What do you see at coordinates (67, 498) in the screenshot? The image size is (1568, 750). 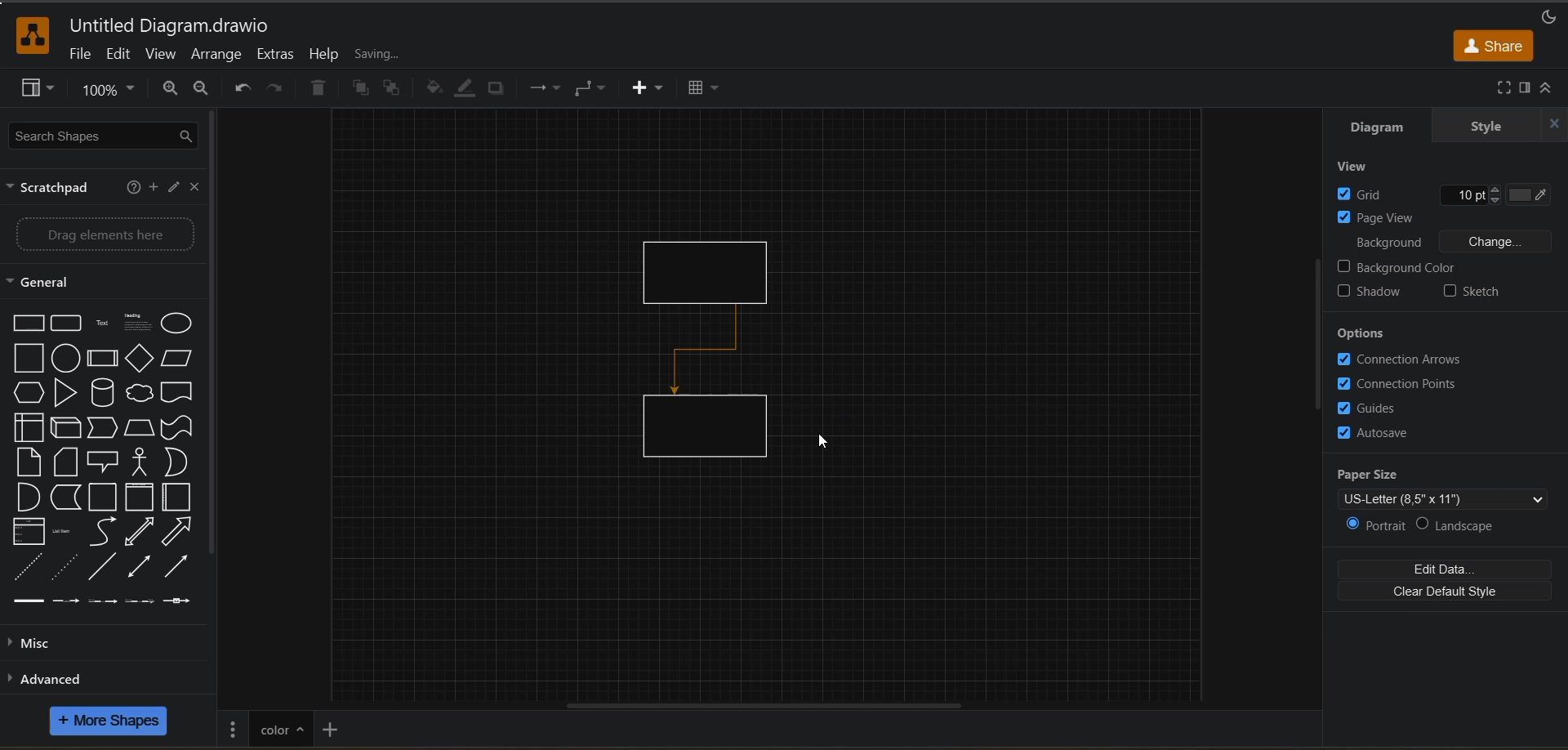 I see `Data Storage` at bounding box center [67, 498].